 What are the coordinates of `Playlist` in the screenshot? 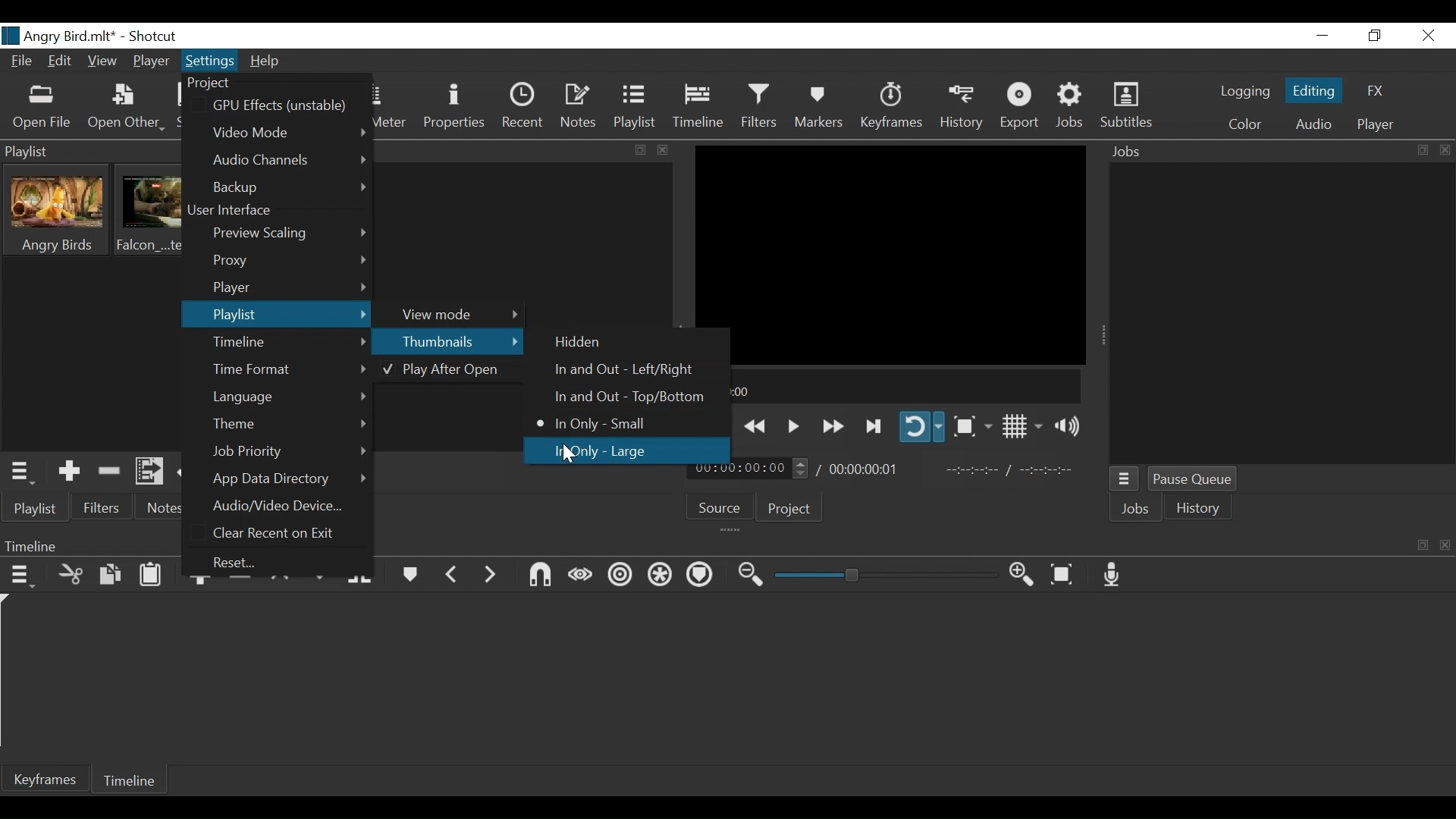 It's located at (275, 315).